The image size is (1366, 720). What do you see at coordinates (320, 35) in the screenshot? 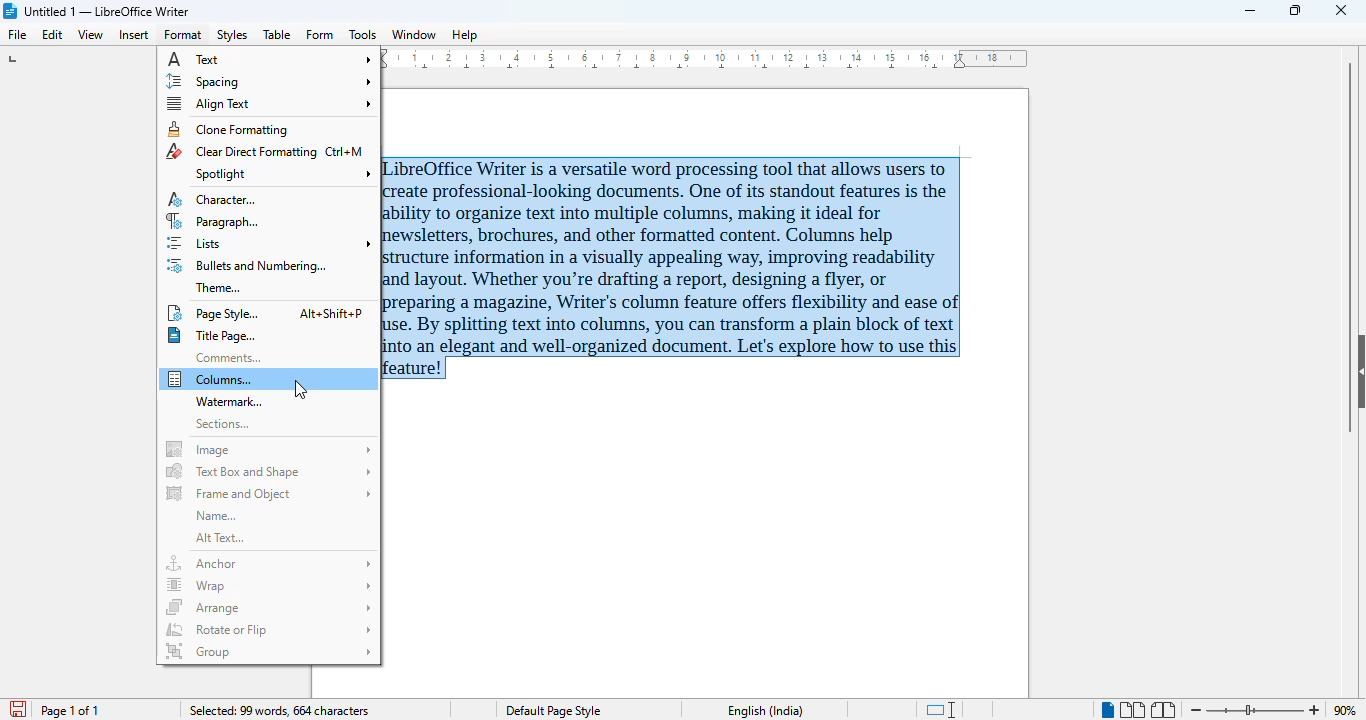
I see `form` at bounding box center [320, 35].